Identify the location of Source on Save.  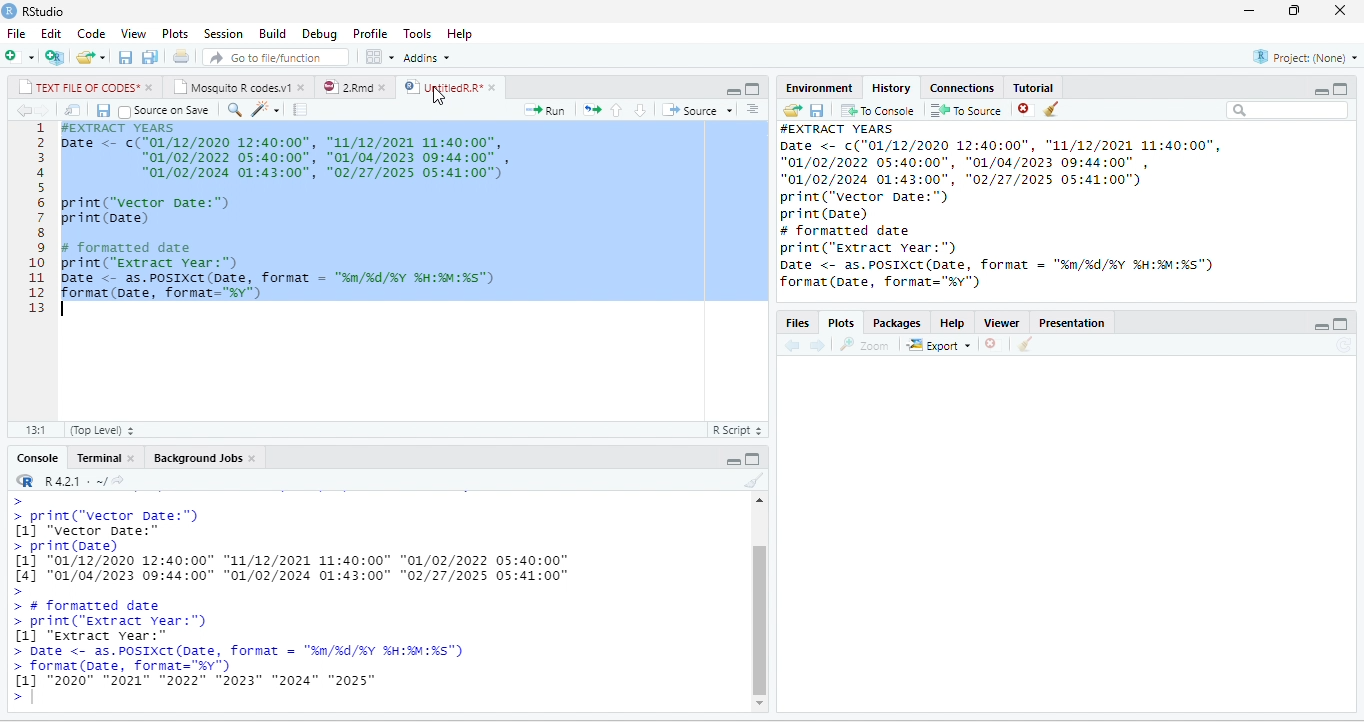
(164, 110).